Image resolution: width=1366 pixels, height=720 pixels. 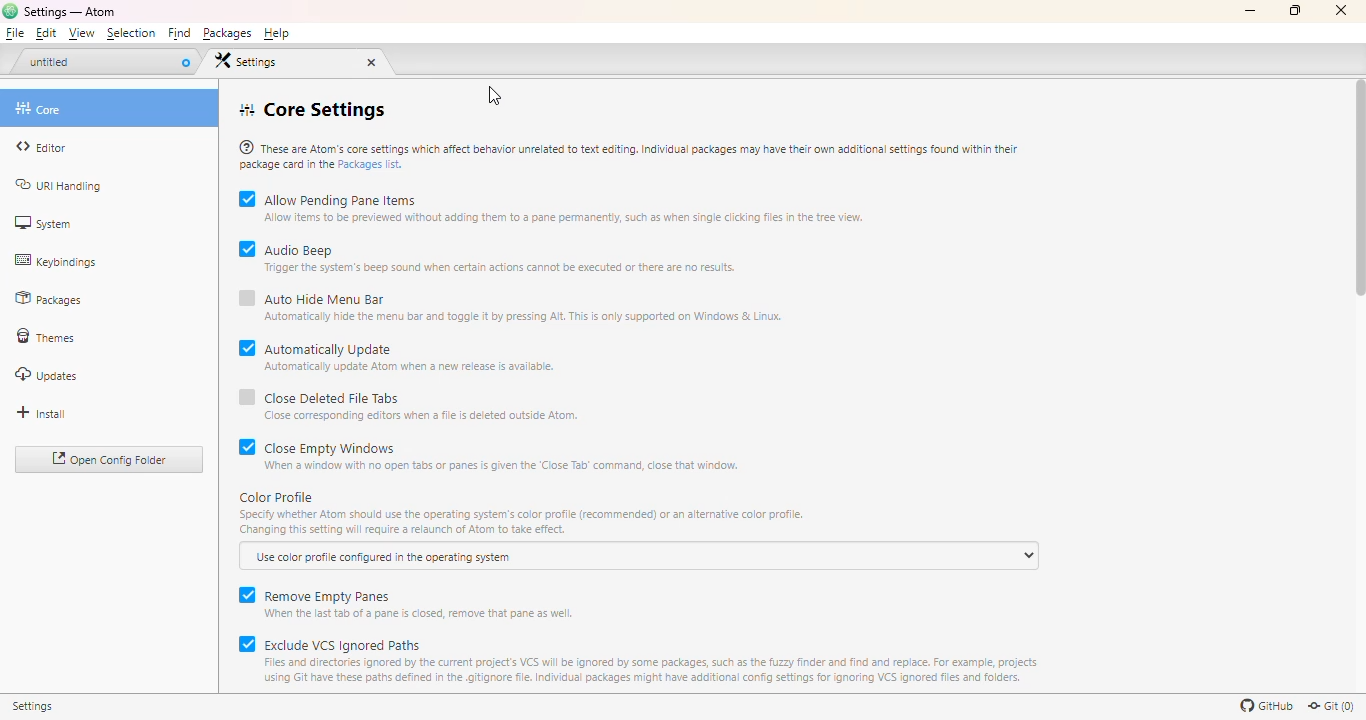 I want to click on package card in the, so click(x=286, y=166).